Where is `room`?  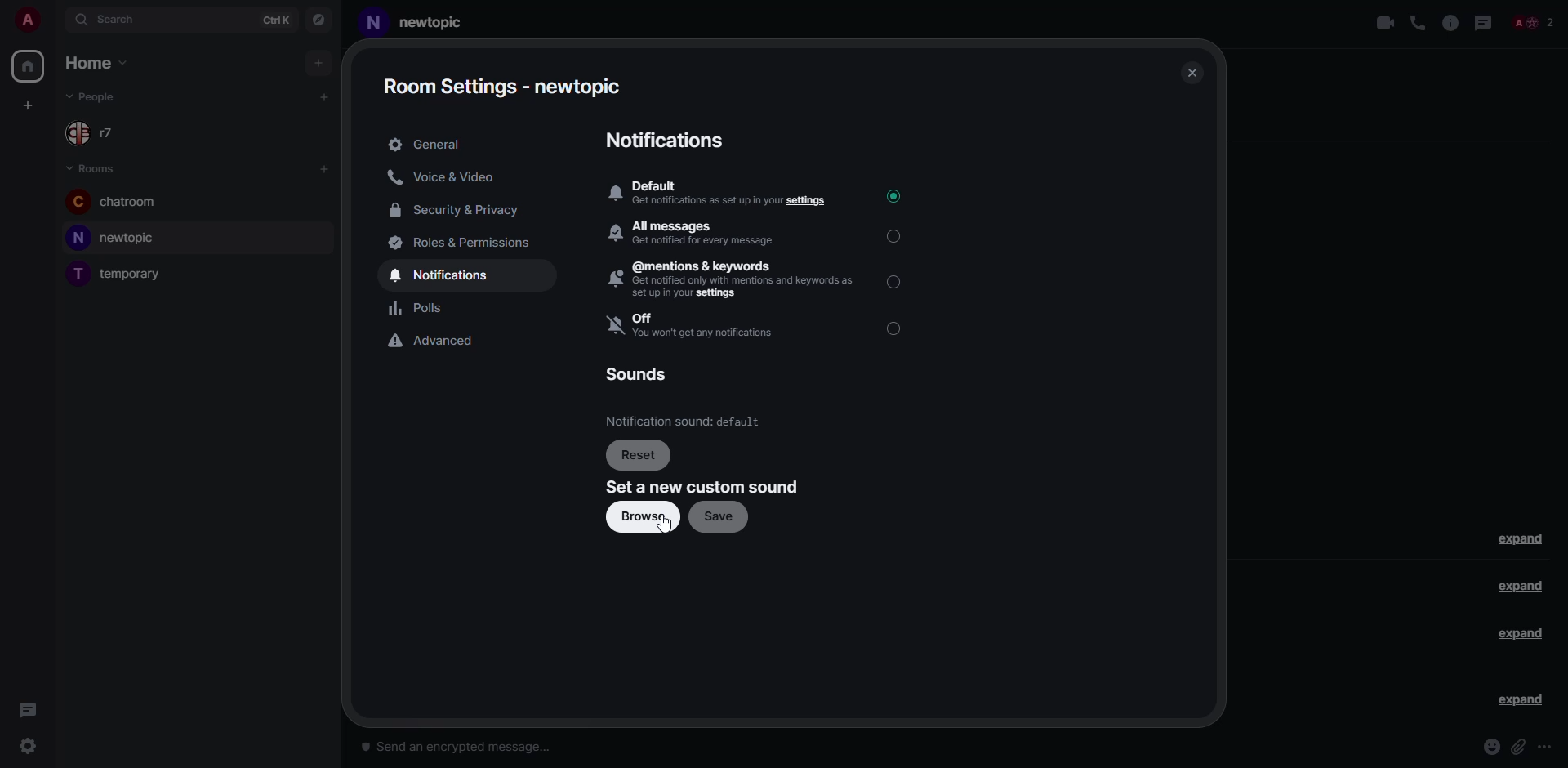
room is located at coordinates (120, 273).